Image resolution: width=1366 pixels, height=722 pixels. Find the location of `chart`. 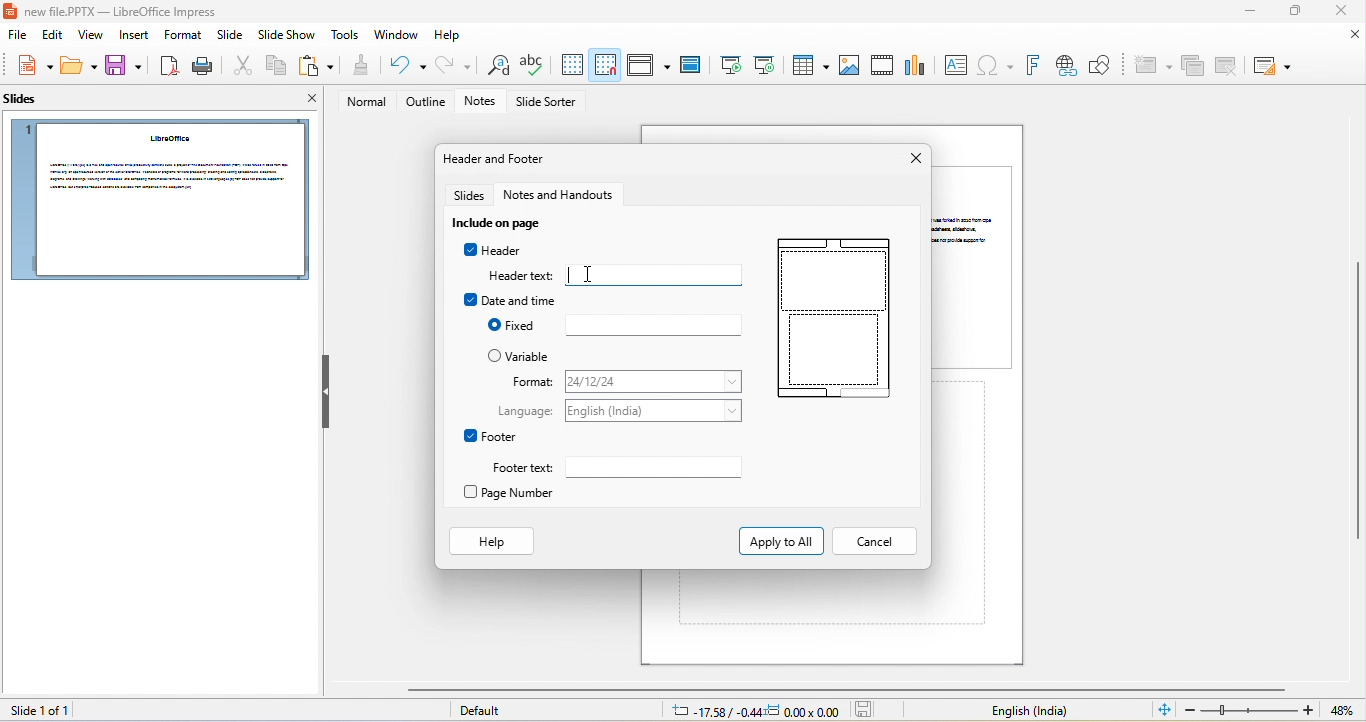

chart is located at coordinates (917, 63).